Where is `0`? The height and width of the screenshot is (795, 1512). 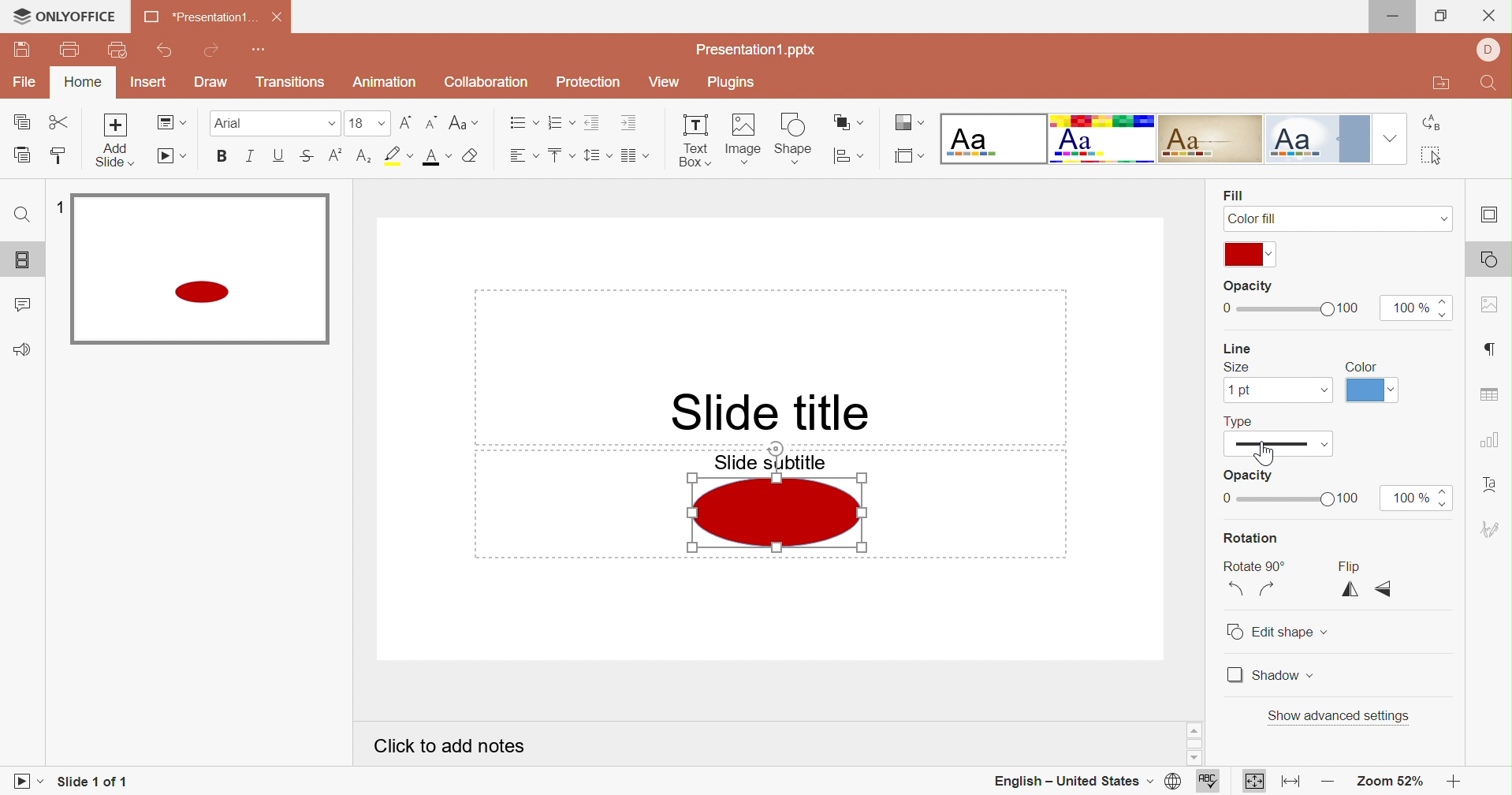
0 is located at coordinates (1226, 309).